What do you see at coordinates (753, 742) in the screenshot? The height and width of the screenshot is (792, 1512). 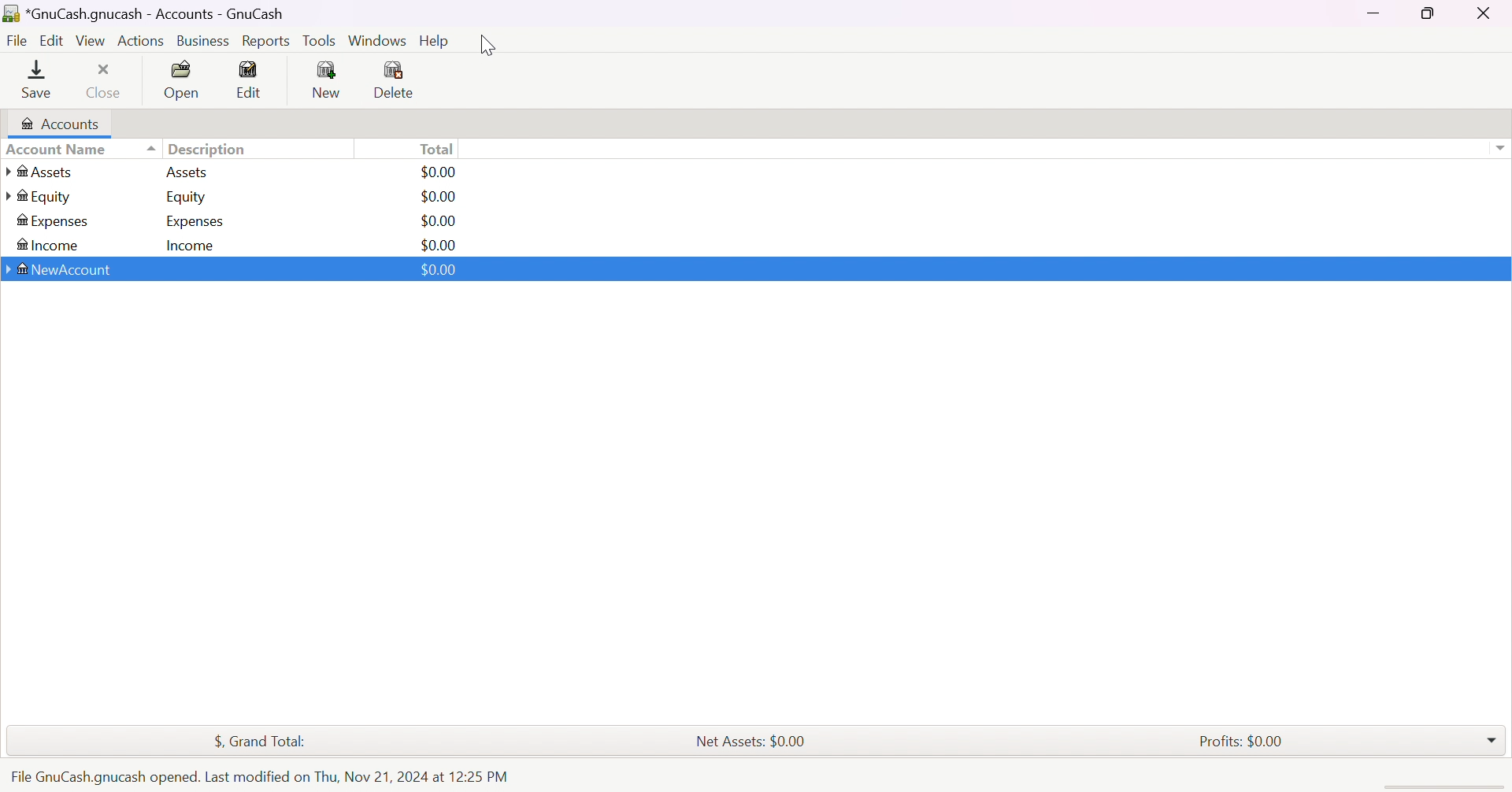 I see `Net Assets: $0.00` at bounding box center [753, 742].